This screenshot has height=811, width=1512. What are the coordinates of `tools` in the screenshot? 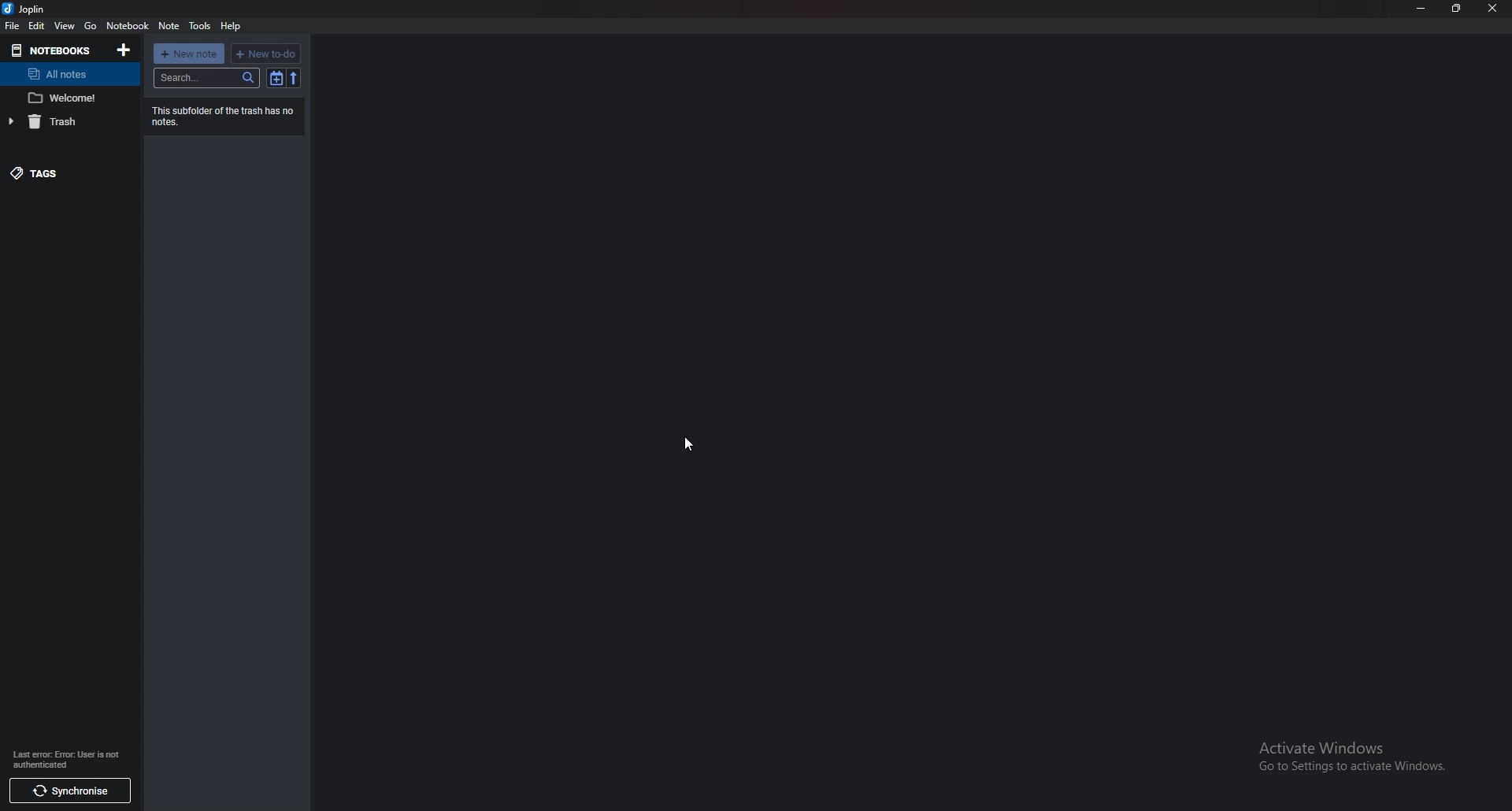 It's located at (201, 25).